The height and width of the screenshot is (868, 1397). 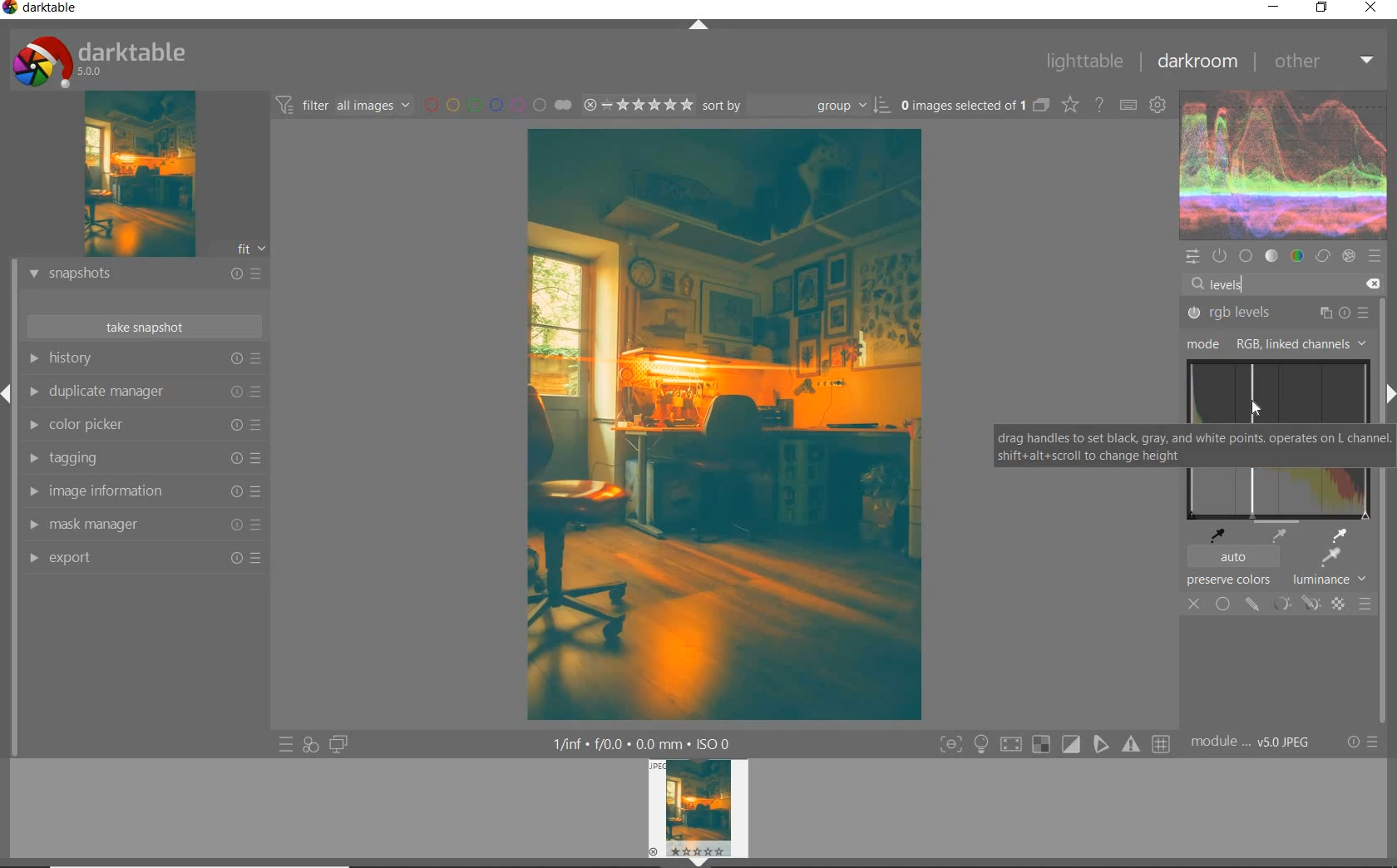 I want to click on quick access for applying any of your styles, so click(x=311, y=743).